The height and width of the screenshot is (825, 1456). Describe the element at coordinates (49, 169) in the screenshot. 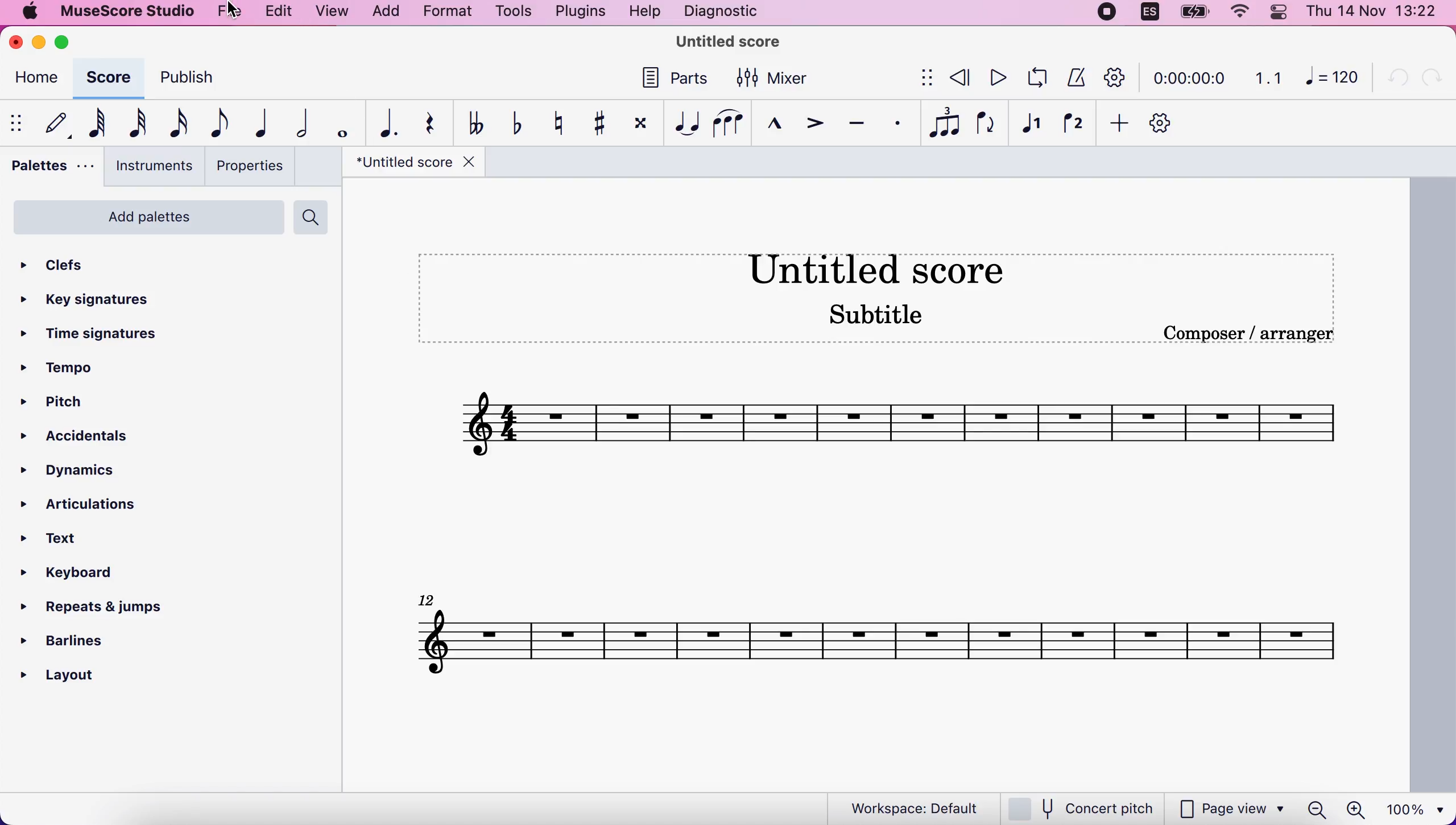

I see `palettes` at that location.